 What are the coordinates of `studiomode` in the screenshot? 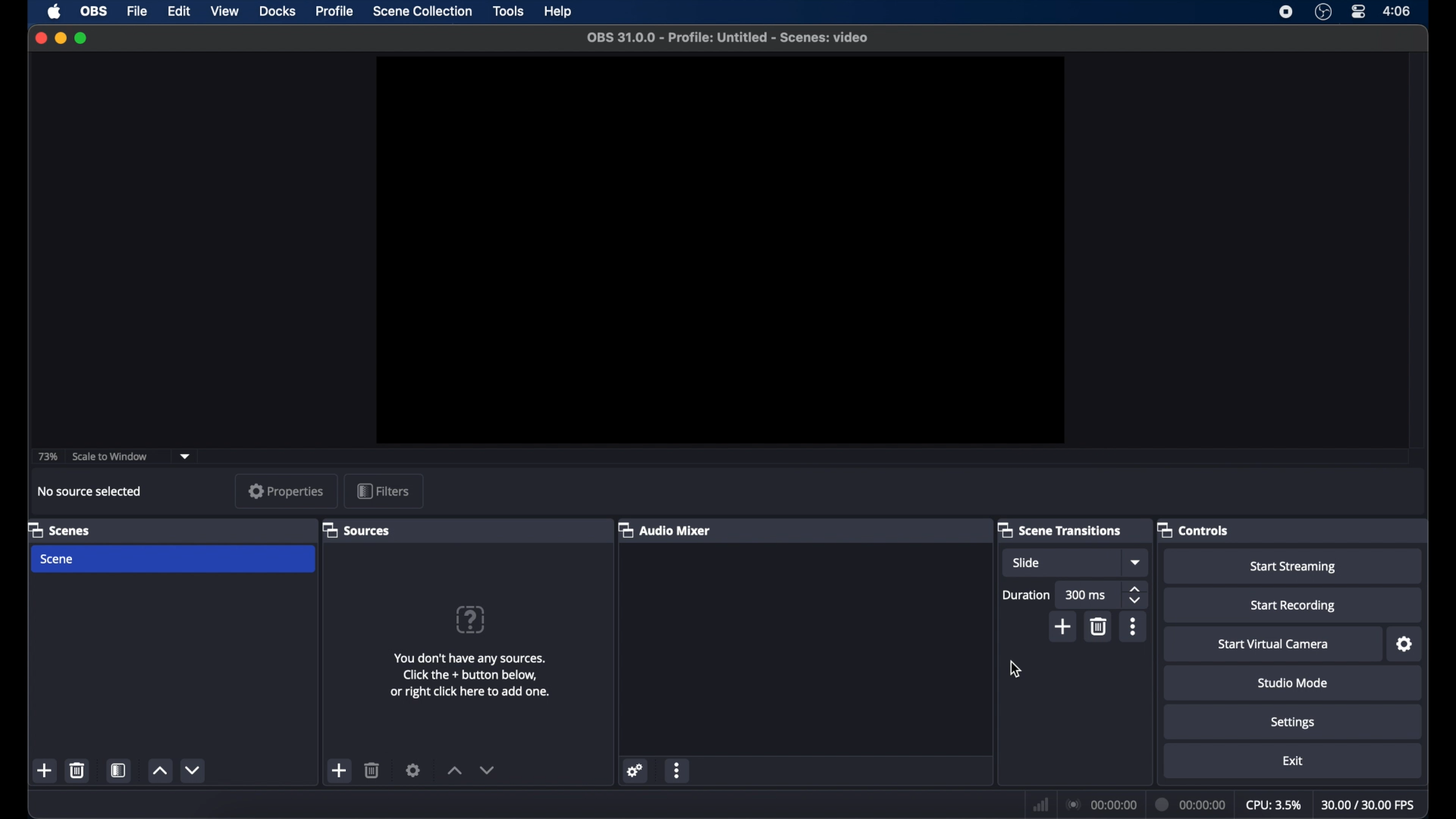 It's located at (1294, 684).